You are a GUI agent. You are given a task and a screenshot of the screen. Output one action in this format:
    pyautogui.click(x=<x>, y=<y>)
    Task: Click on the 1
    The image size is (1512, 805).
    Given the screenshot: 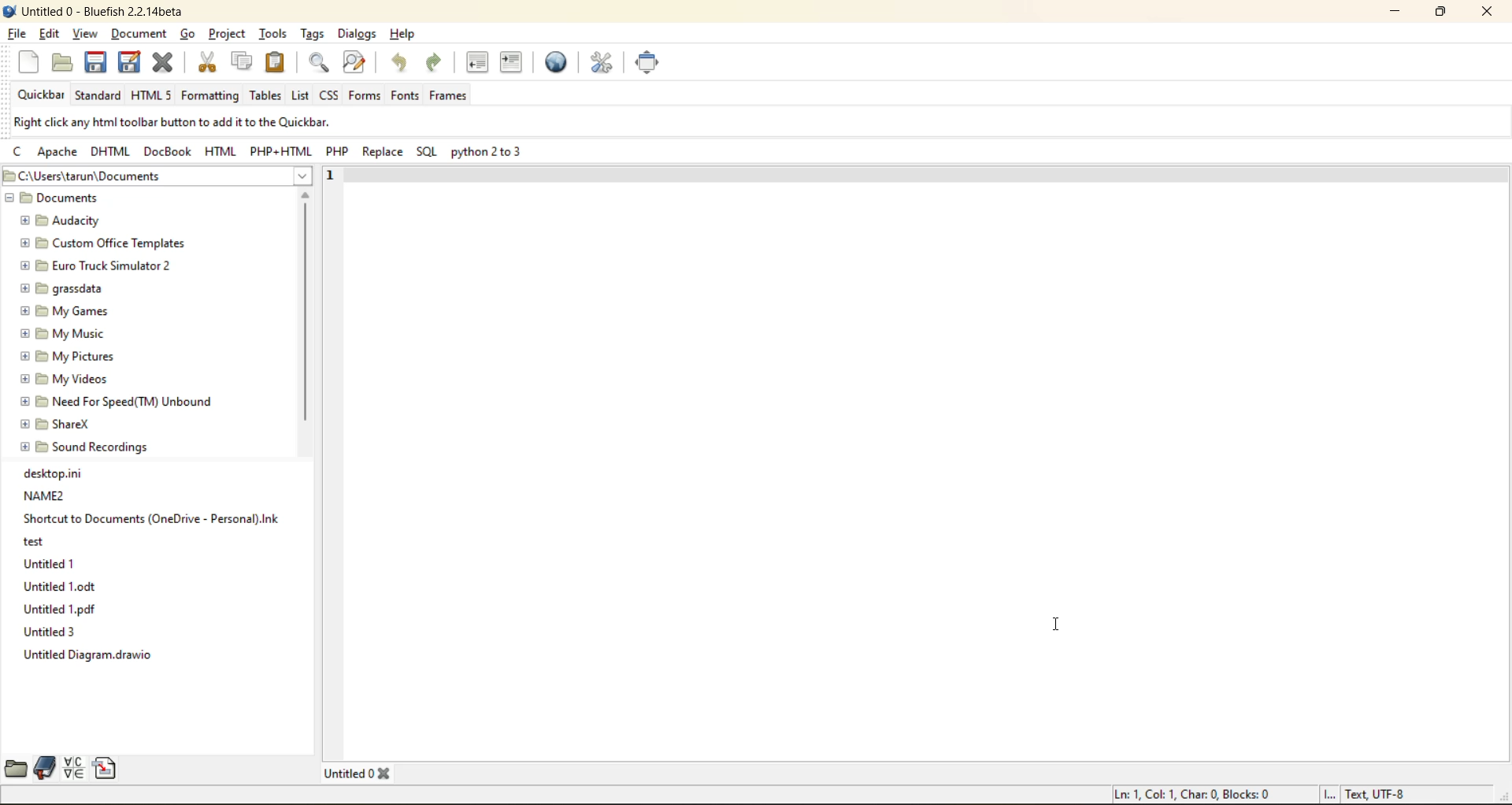 What is the action you would take?
    pyautogui.click(x=333, y=176)
    